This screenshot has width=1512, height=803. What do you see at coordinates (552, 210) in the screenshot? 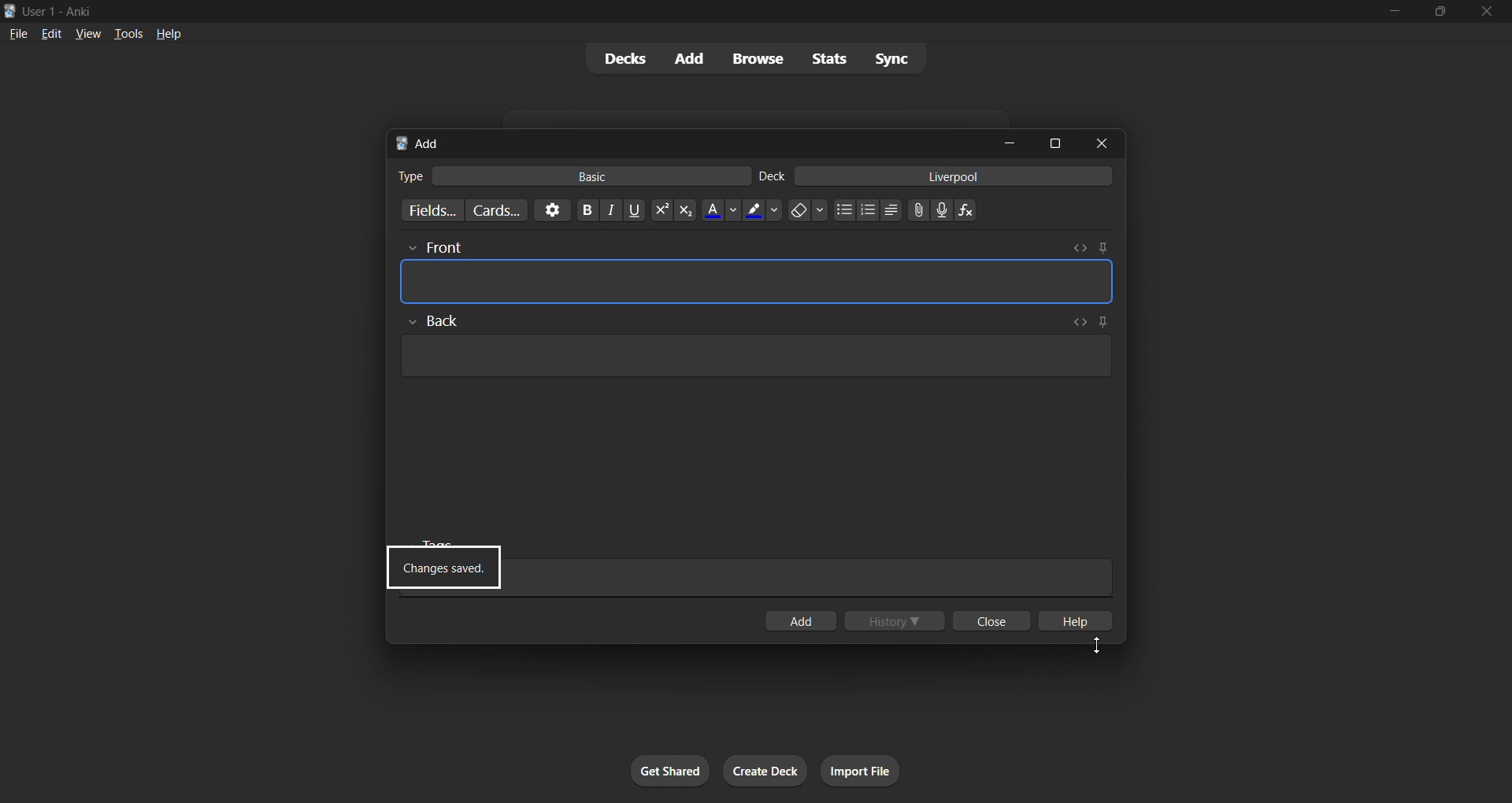
I see `settings` at bounding box center [552, 210].